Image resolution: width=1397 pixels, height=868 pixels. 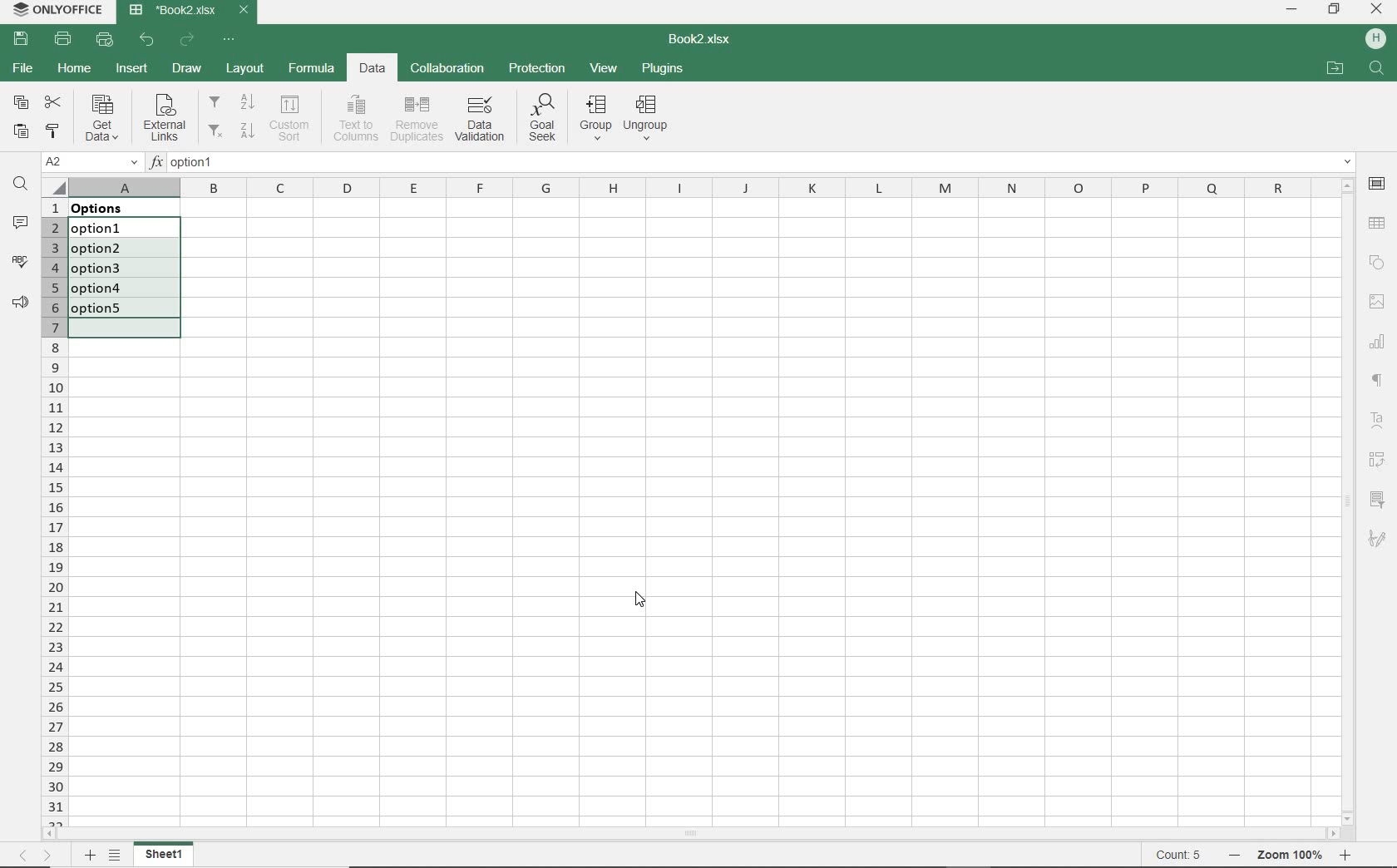 What do you see at coordinates (165, 119) in the screenshot?
I see `External links` at bounding box center [165, 119].